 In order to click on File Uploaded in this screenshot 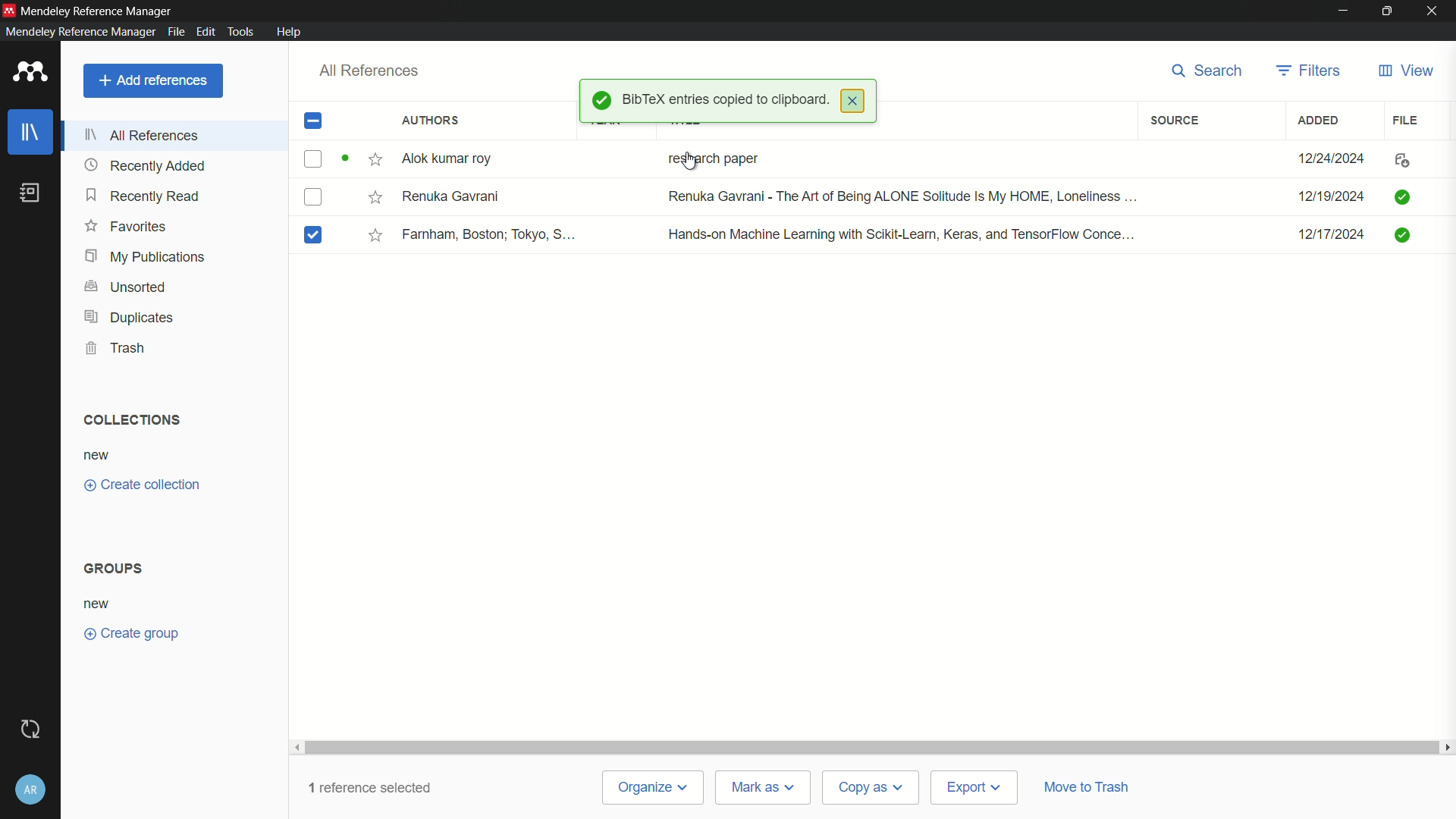, I will do `click(1418, 240)`.